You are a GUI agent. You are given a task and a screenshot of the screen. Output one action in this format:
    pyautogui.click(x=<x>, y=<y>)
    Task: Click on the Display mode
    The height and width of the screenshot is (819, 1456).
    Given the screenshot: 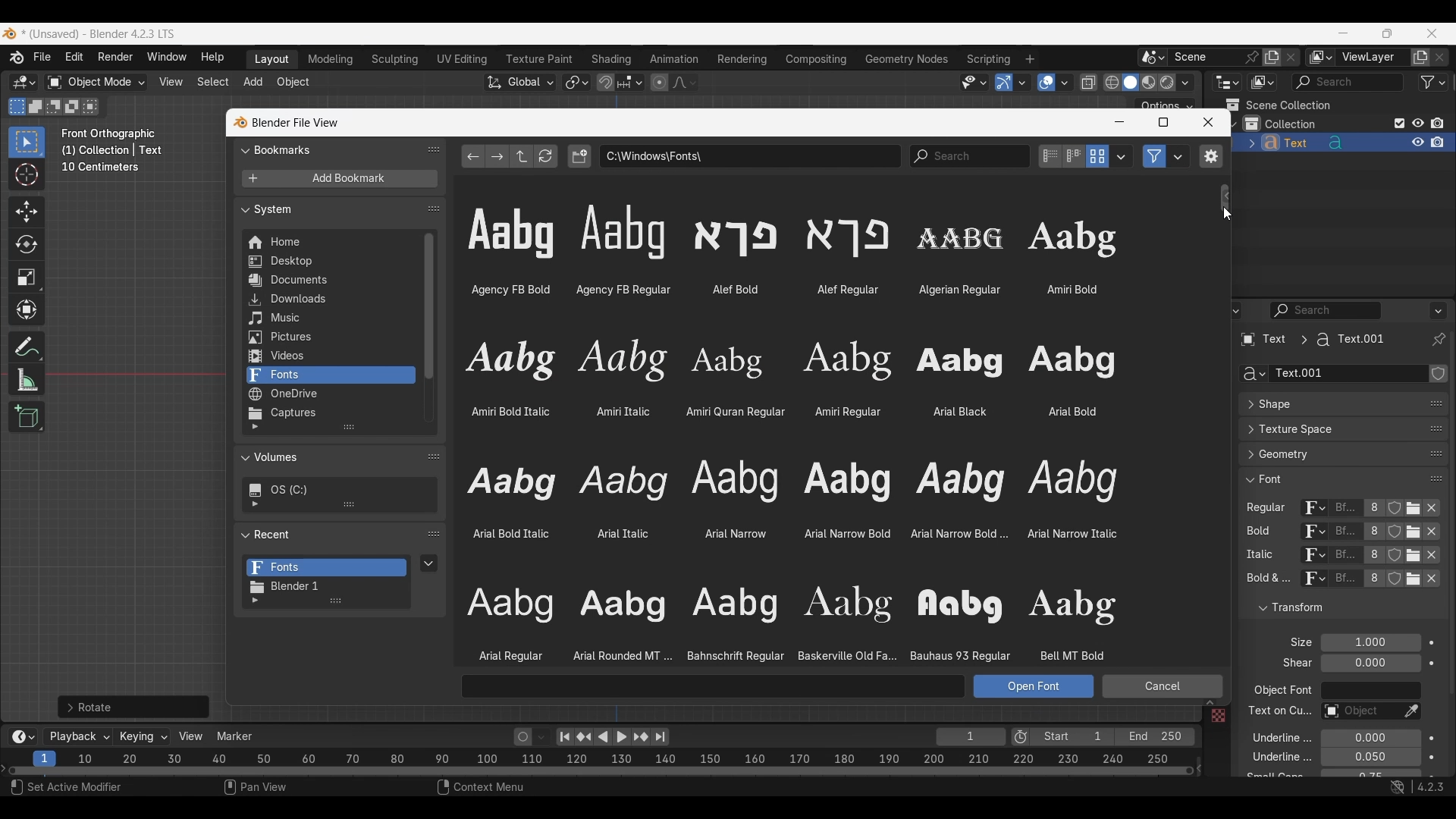 What is the action you would take?
    pyautogui.click(x=1097, y=156)
    